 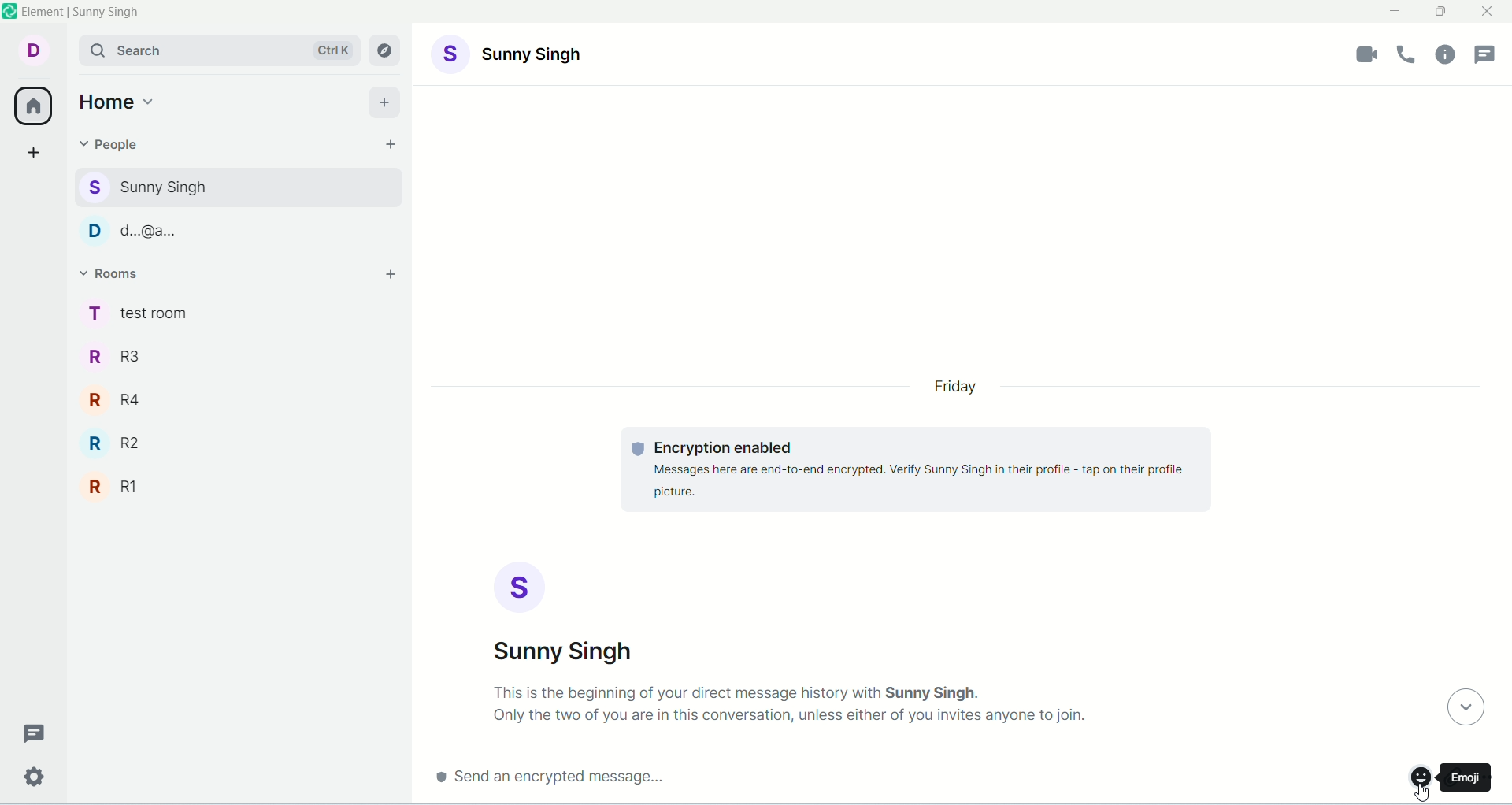 I want to click on settings, so click(x=31, y=779).